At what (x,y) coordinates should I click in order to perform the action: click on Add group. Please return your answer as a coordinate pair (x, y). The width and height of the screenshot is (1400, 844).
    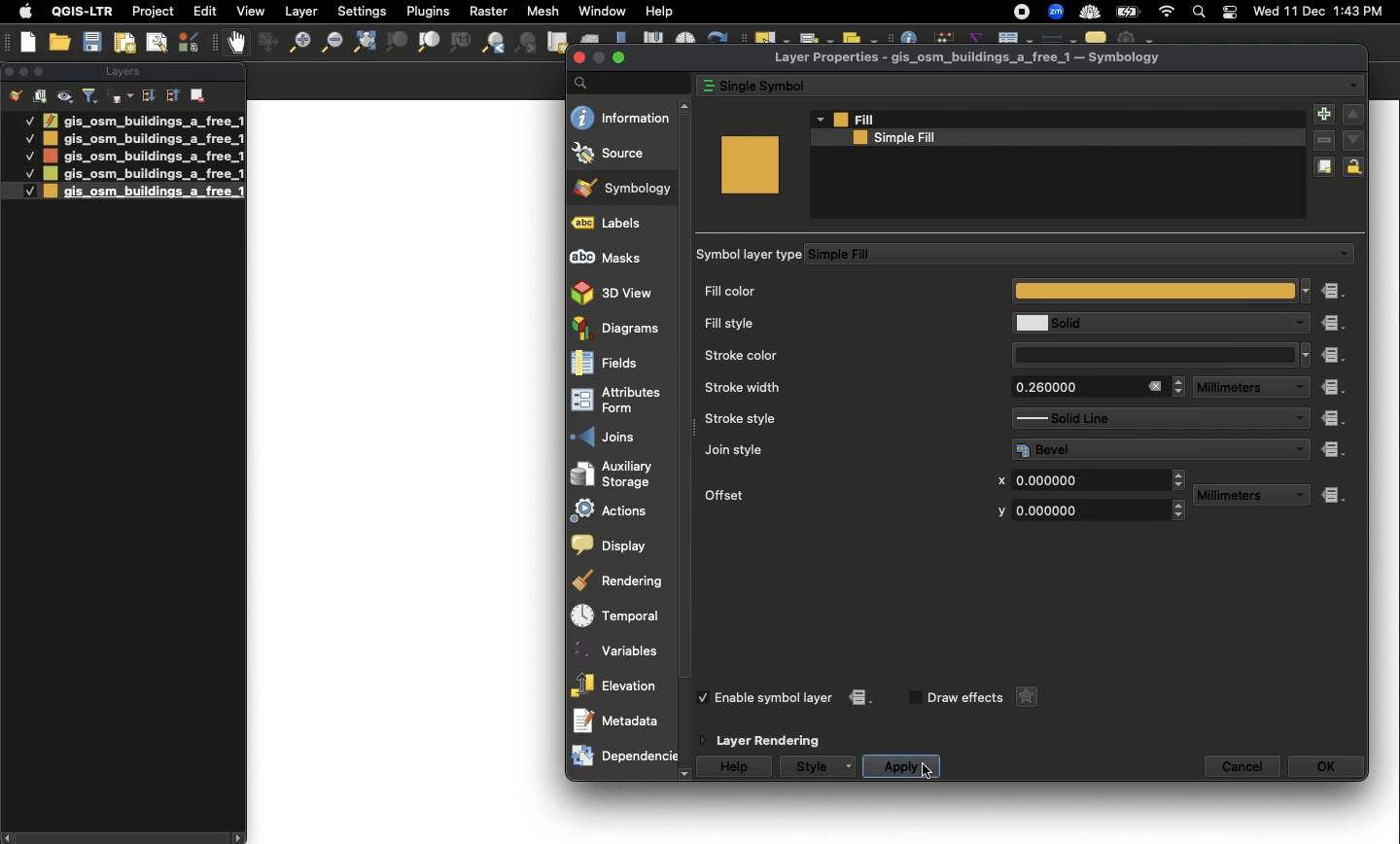
    Looking at the image, I should click on (41, 95).